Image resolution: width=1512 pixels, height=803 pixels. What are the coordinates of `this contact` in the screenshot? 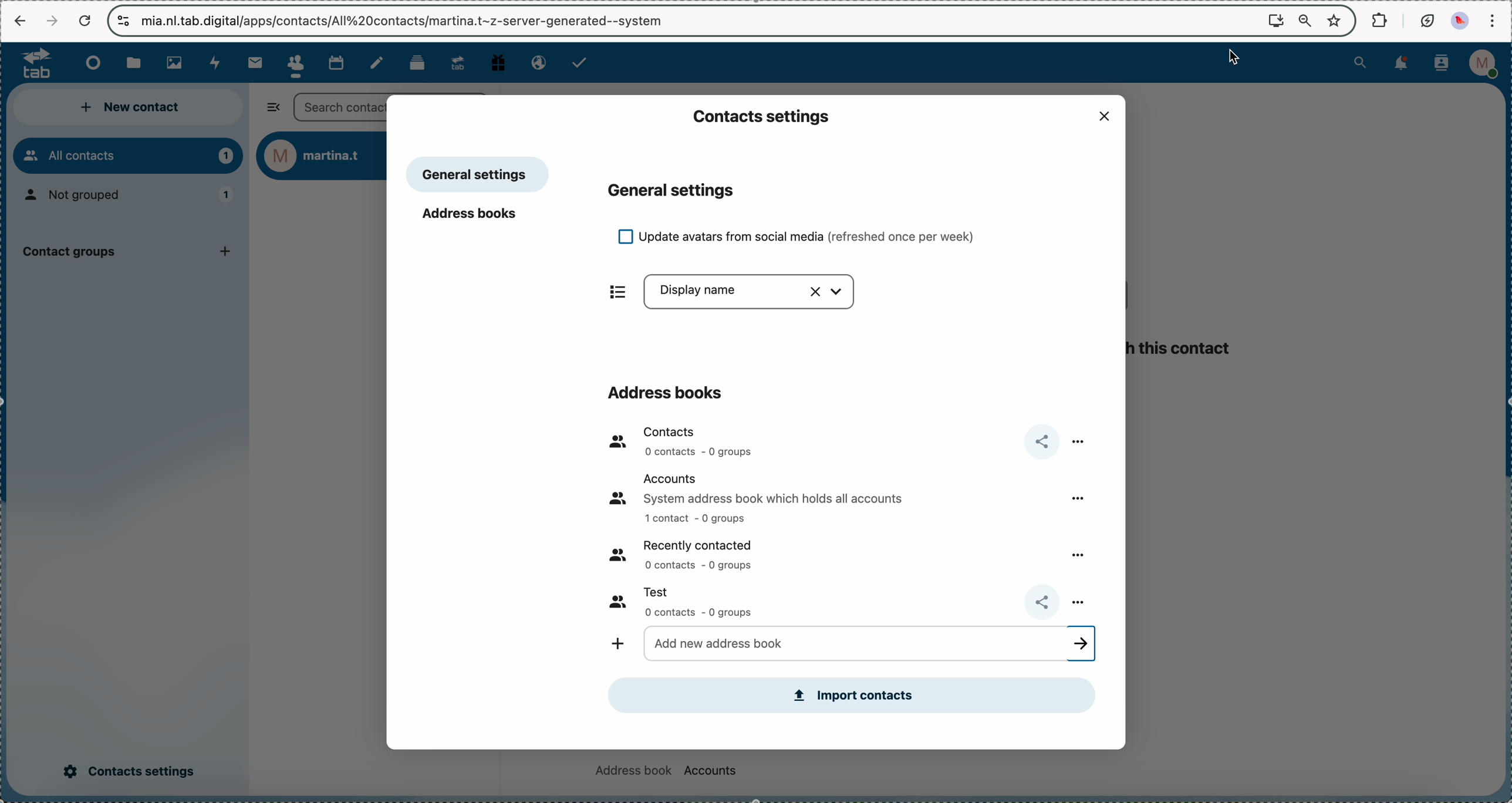 It's located at (1183, 349).